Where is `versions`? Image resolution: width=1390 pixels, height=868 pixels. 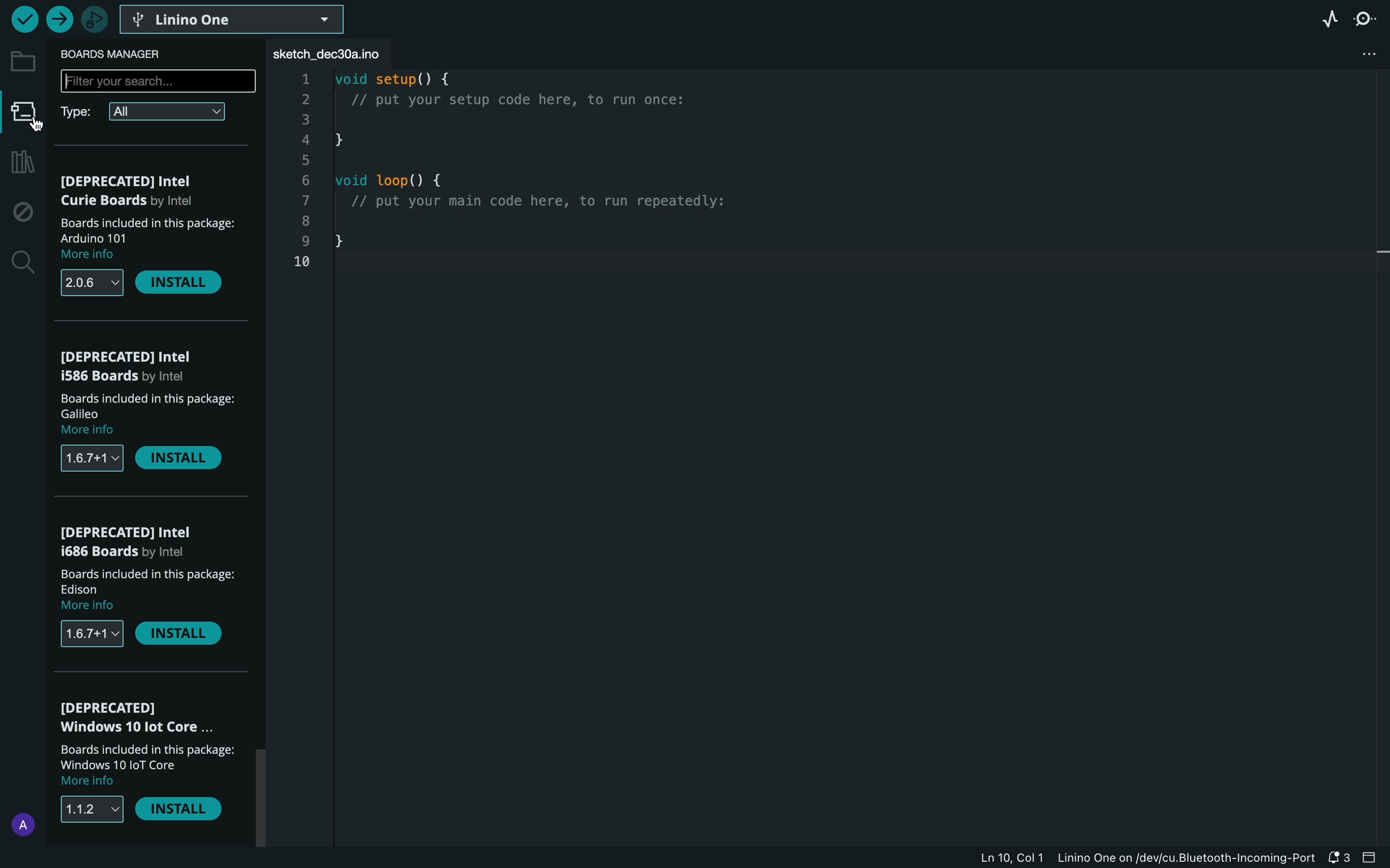
versions is located at coordinates (93, 282).